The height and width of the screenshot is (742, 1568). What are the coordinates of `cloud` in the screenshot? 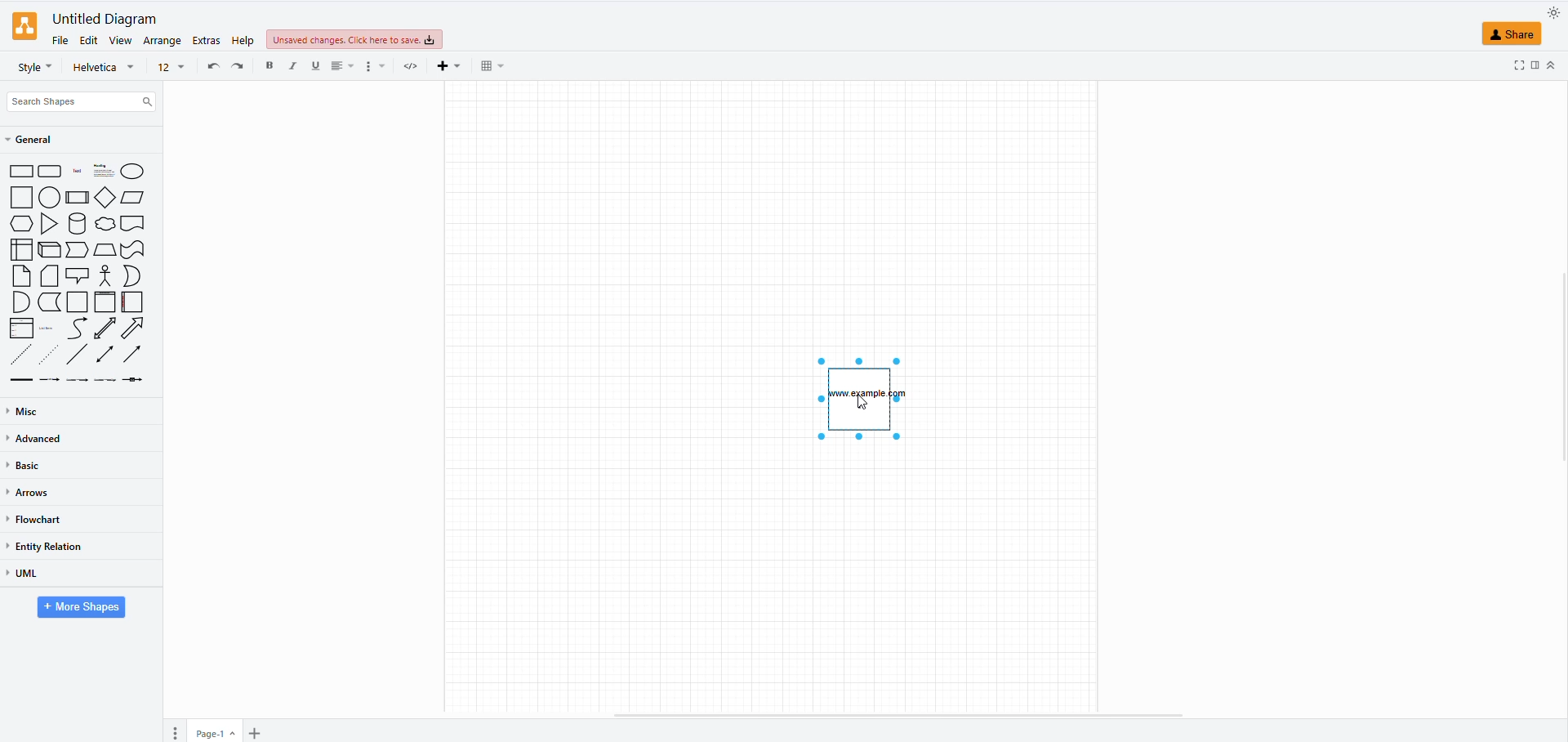 It's located at (105, 224).